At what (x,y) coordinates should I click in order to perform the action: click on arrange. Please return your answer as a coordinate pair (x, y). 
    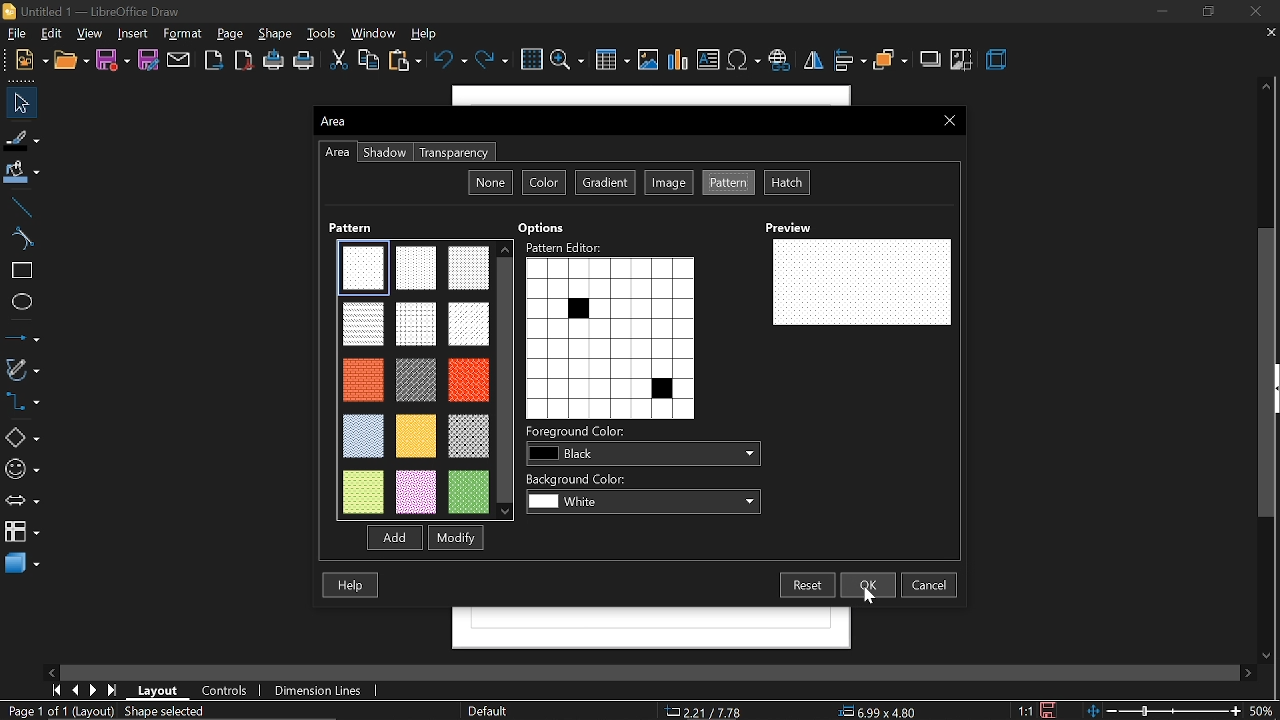
    Looking at the image, I should click on (890, 61).